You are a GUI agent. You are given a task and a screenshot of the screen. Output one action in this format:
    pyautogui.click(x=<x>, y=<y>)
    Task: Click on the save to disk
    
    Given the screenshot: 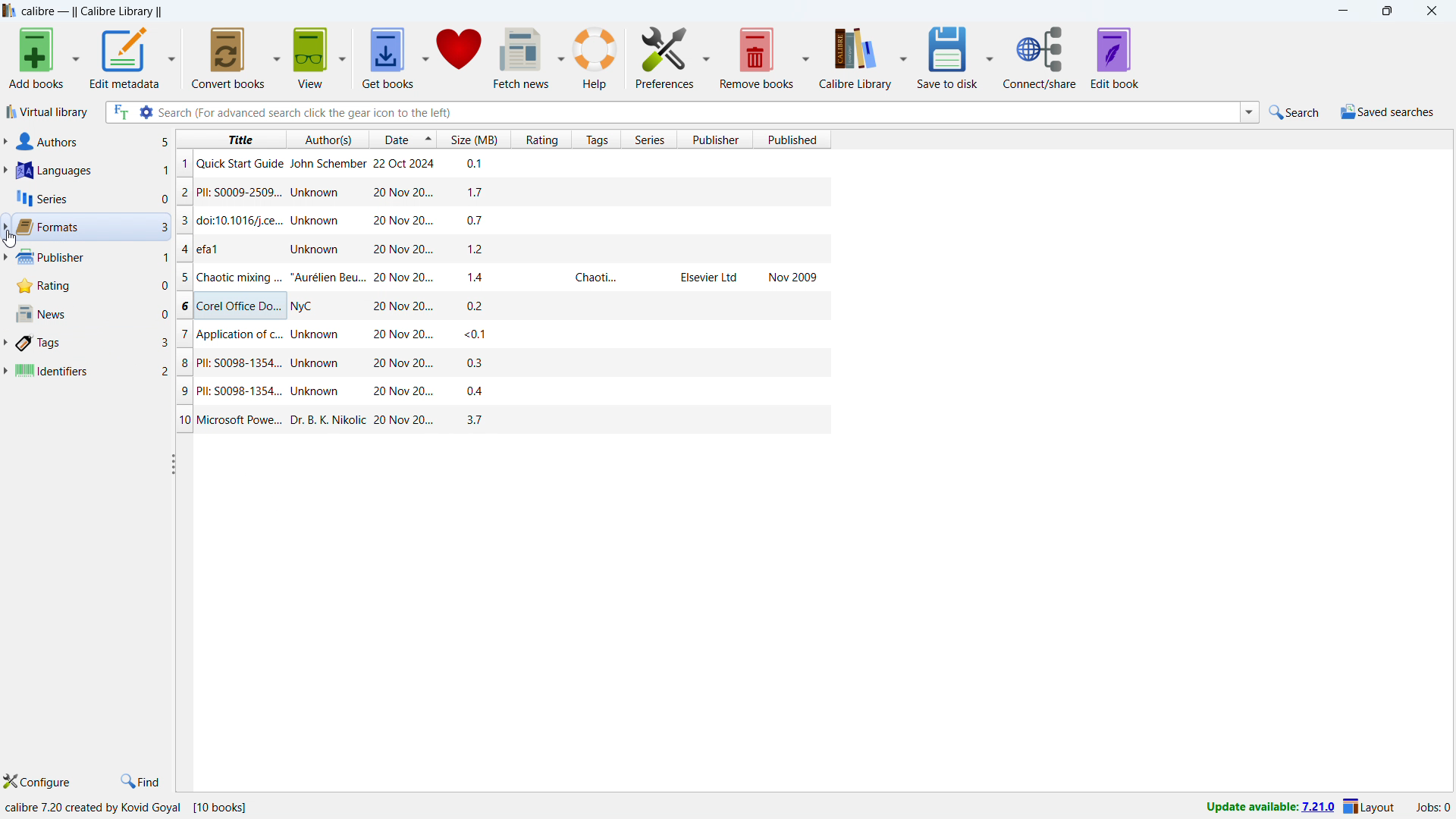 What is the action you would take?
    pyautogui.click(x=990, y=57)
    